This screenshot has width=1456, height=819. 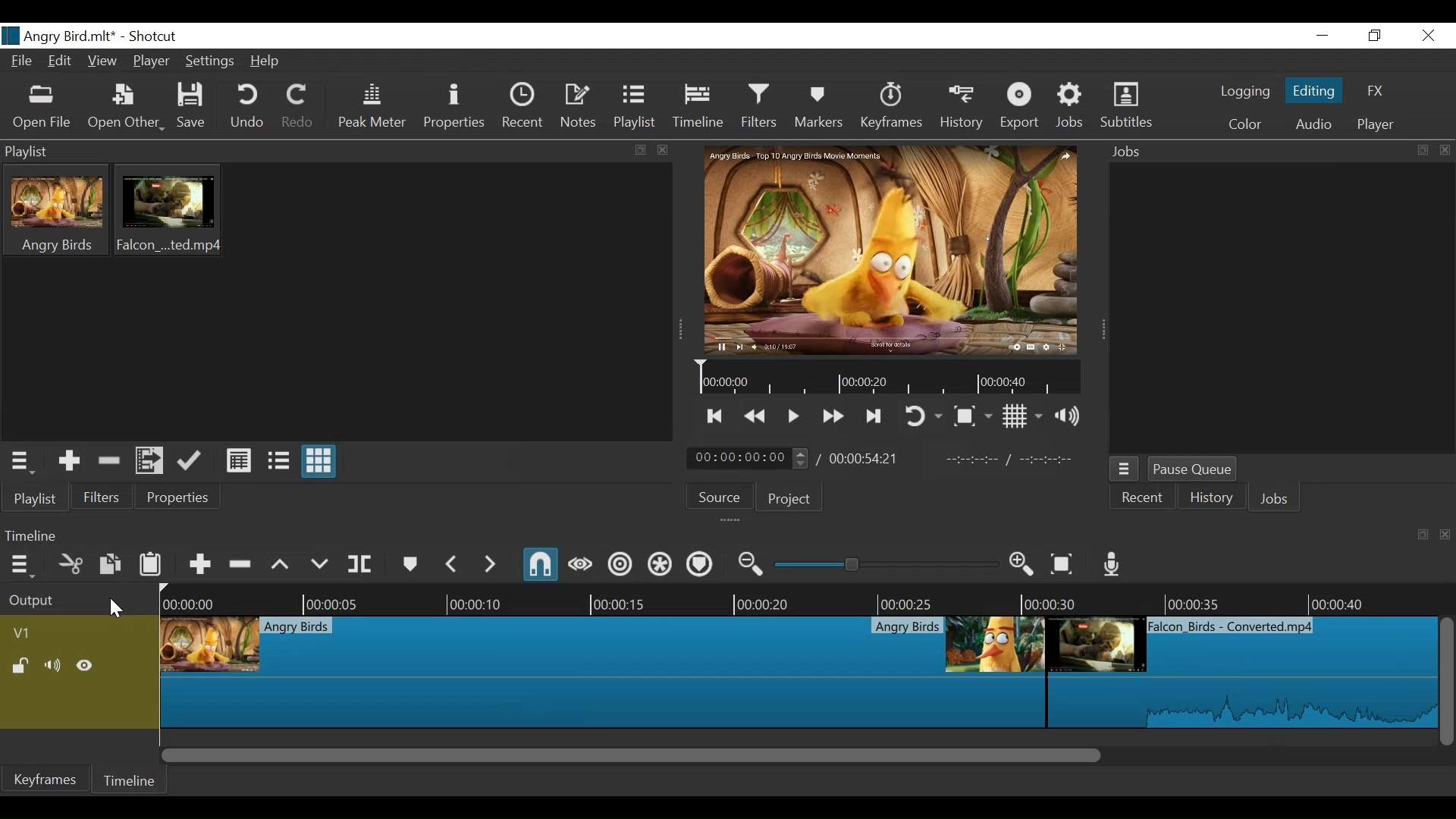 I want to click on Player, so click(x=152, y=62).